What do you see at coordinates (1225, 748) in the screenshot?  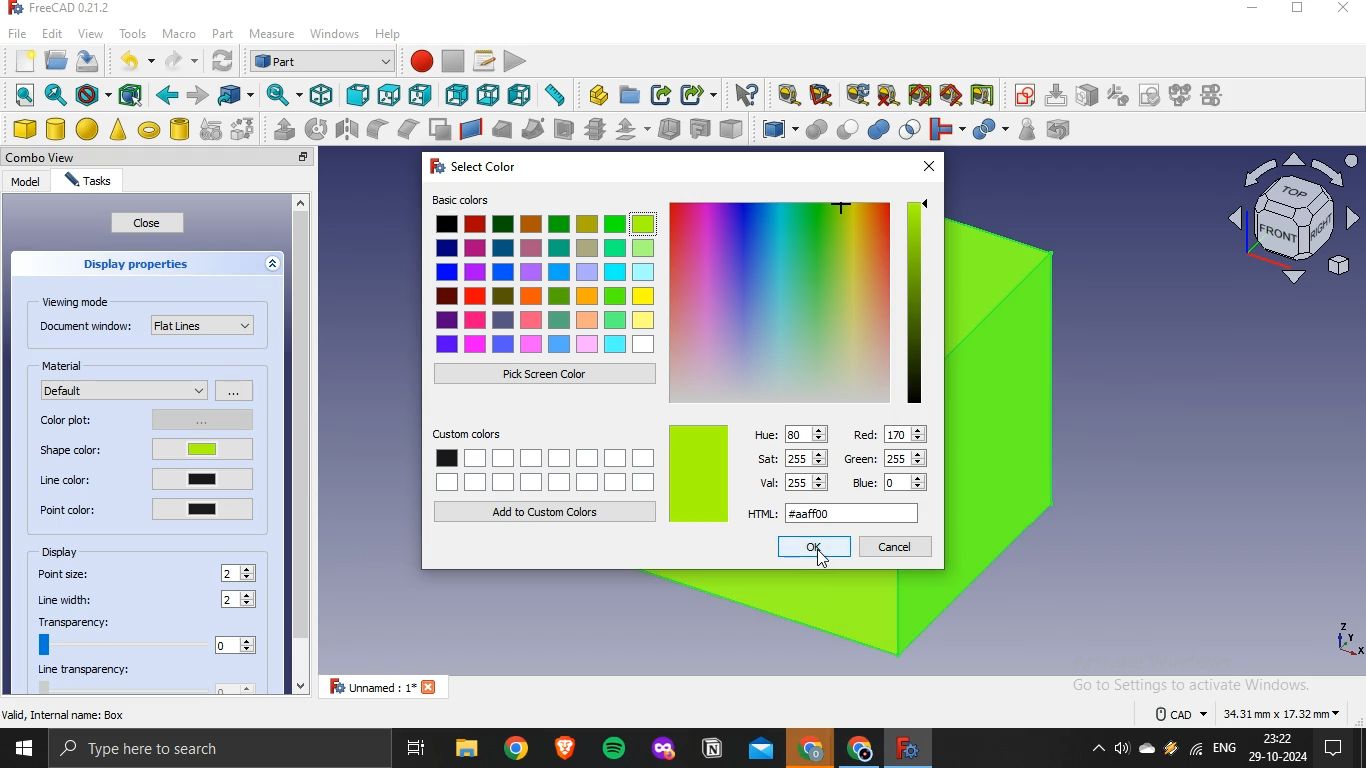 I see `english` at bounding box center [1225, 748].